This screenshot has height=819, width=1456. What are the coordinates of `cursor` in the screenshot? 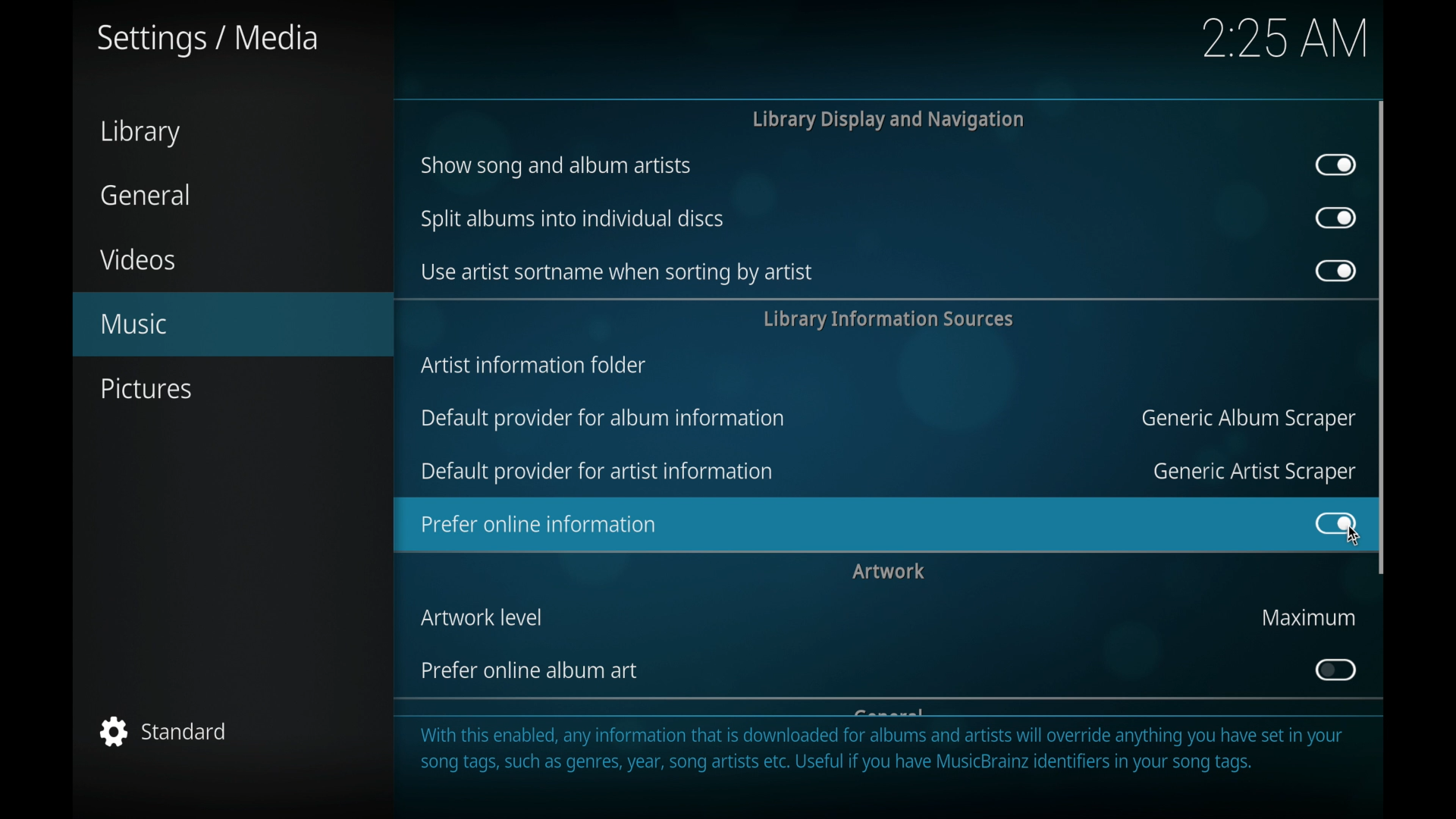 It's located at (1354, 538).